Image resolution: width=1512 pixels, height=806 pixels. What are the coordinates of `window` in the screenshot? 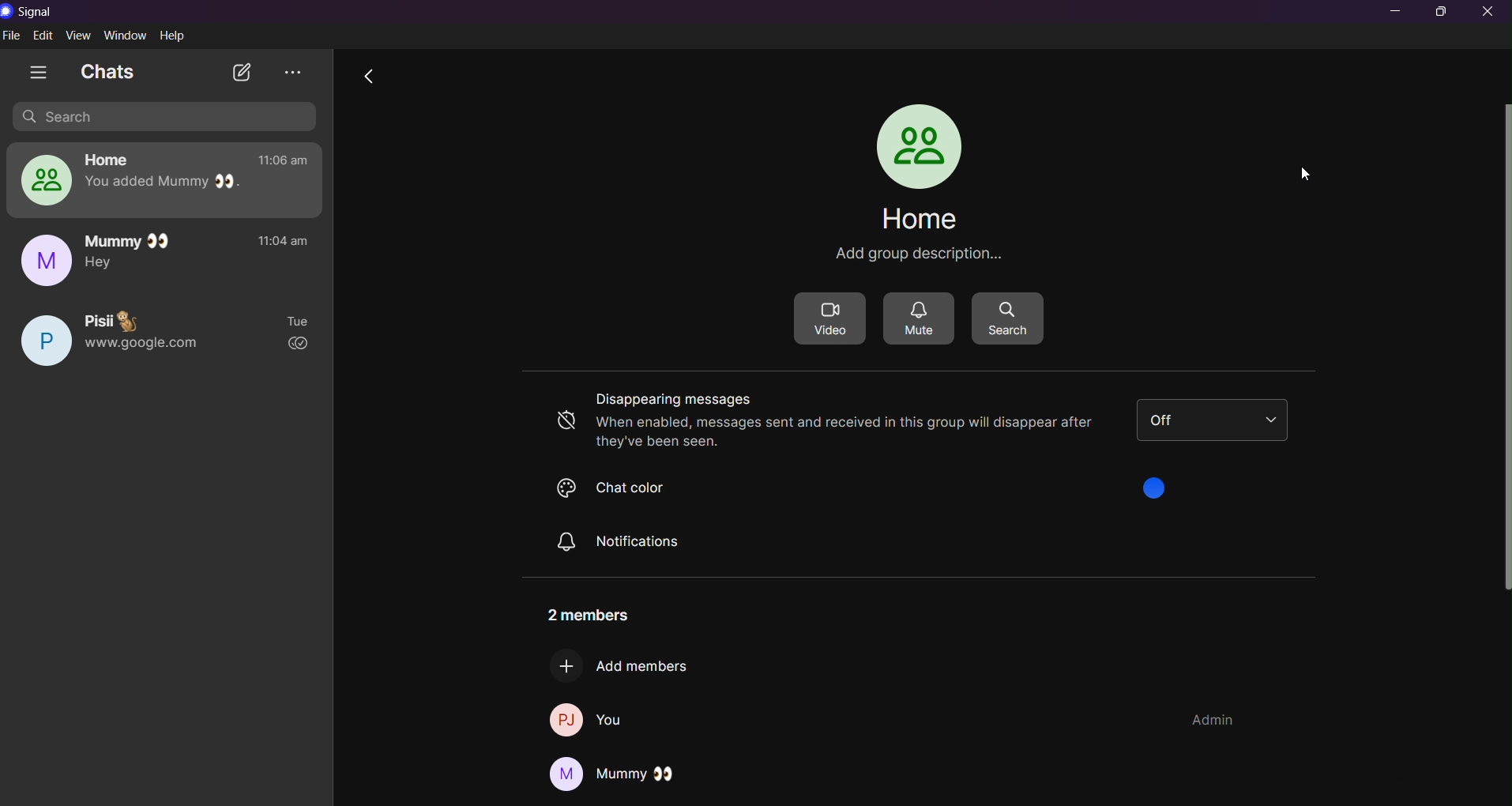 It's located at (127, 36).